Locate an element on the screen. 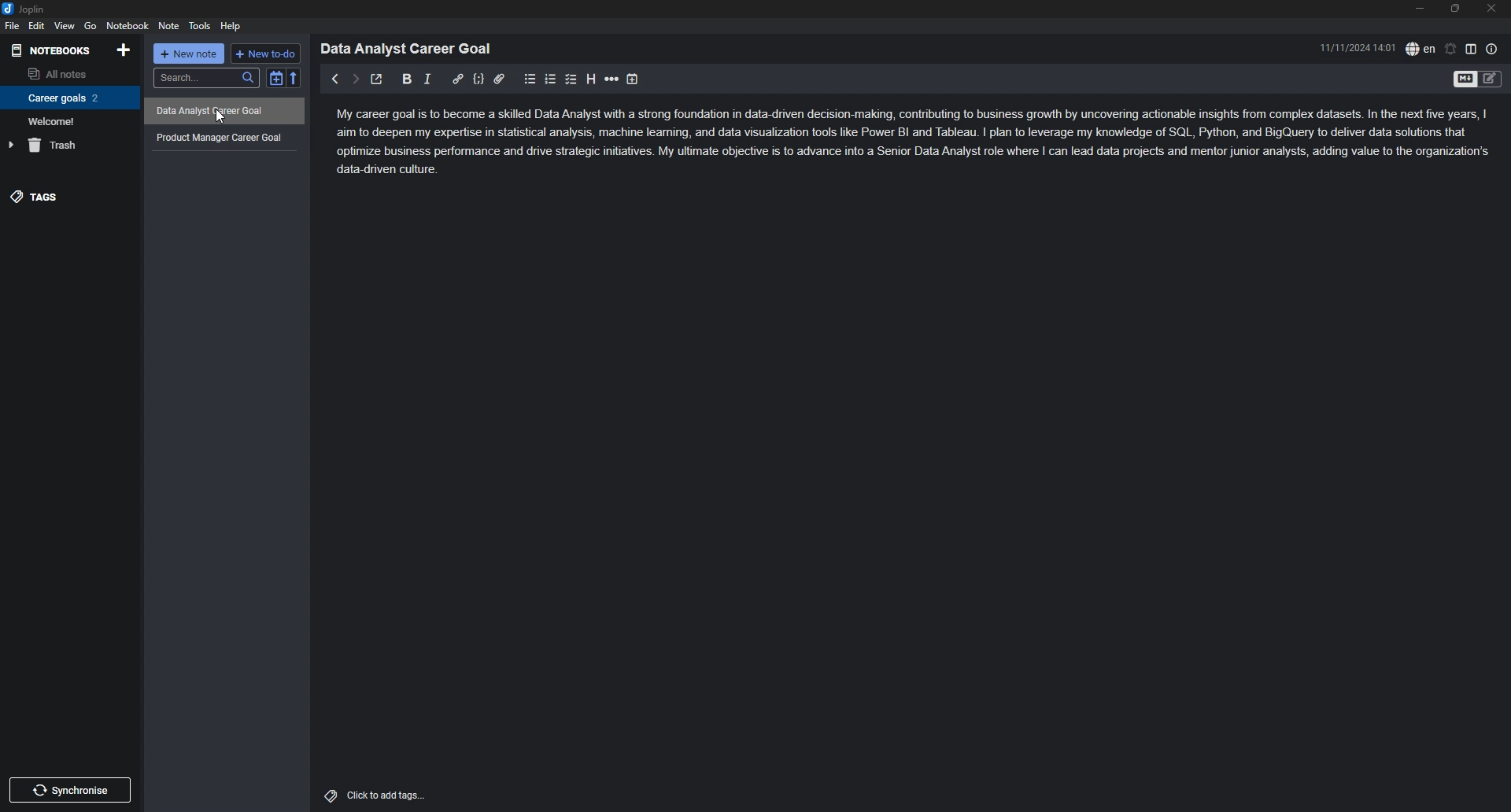 The image size is (1511, 812). tags is located at coordinates (69, 197).